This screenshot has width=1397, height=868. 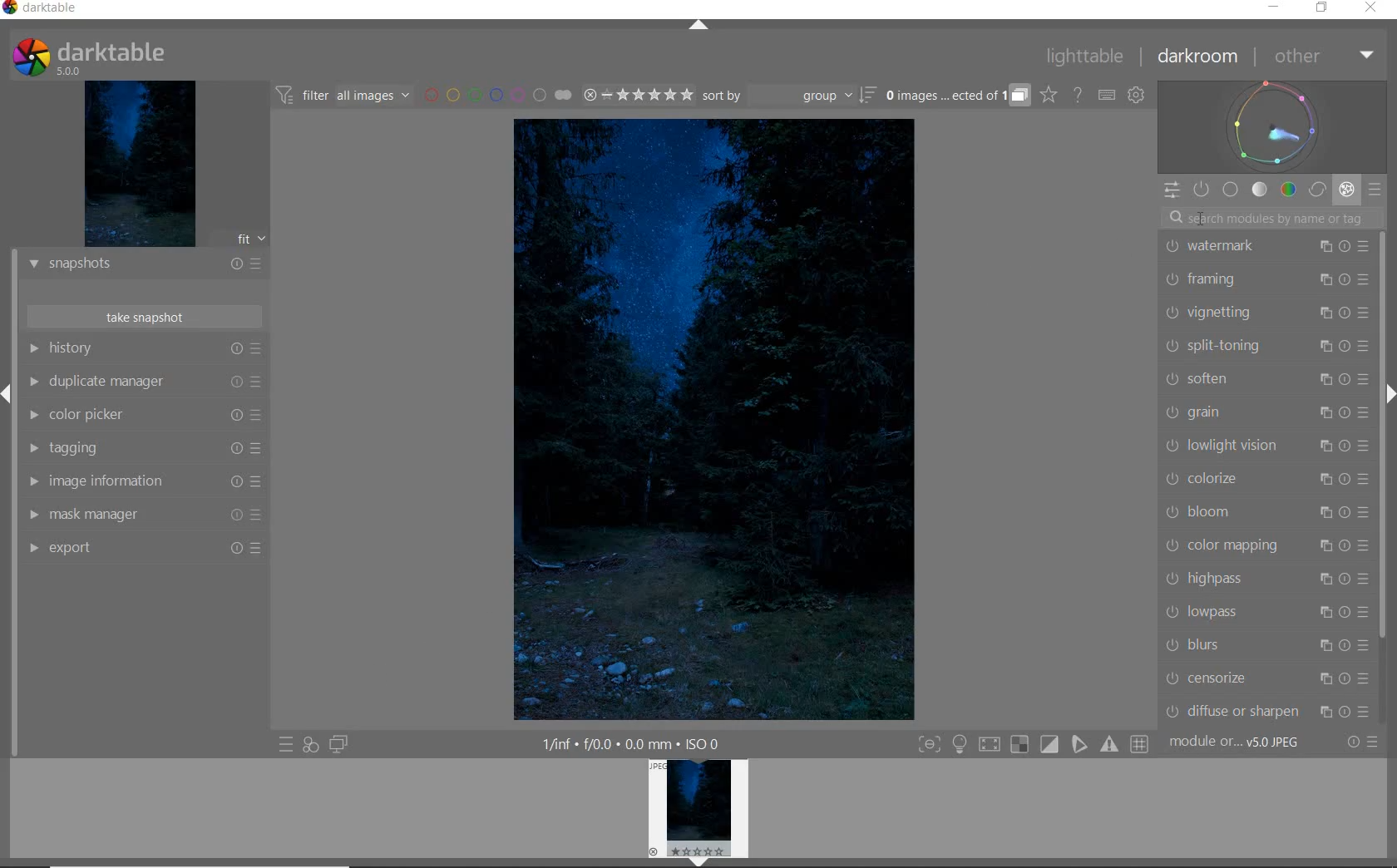 I want to click on MINIMIZE, so click(x=1275, y=7).